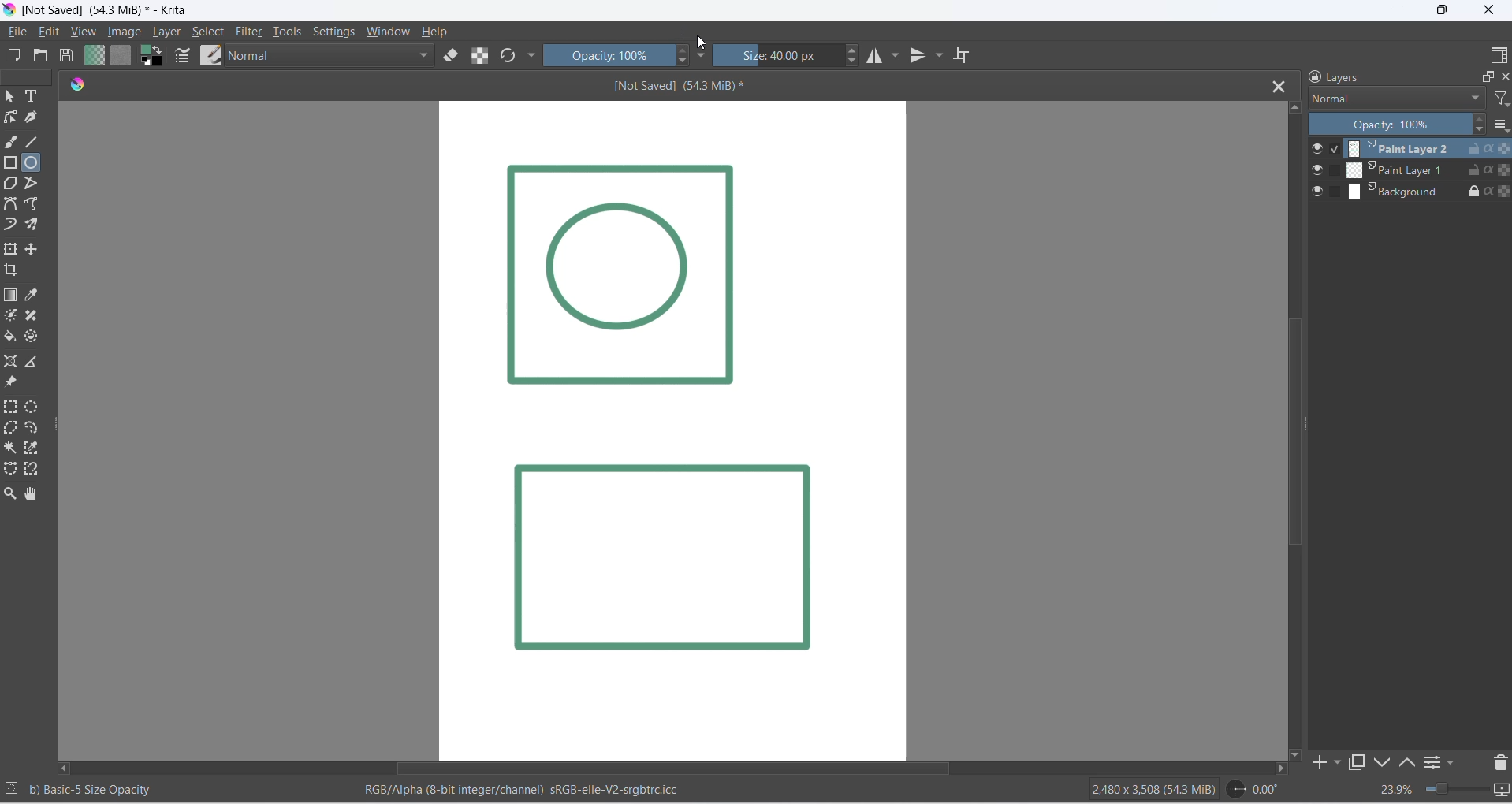 The image size is (1512, 804). Describe the element at coordinates (32, 448) in the screenshot. I see `color selection tool` at that location.